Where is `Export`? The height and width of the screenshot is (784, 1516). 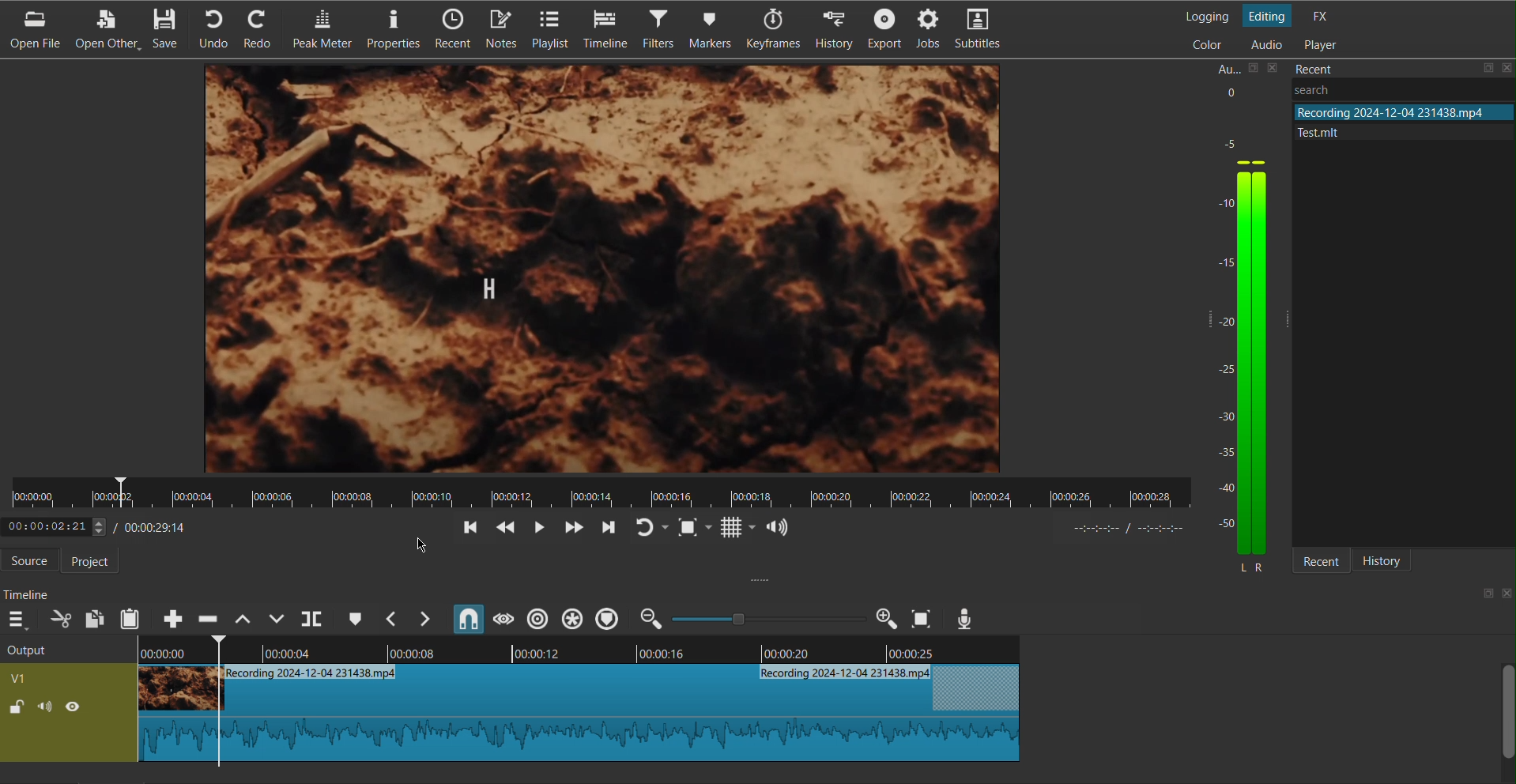
Export is located at coordinates (886, 32).